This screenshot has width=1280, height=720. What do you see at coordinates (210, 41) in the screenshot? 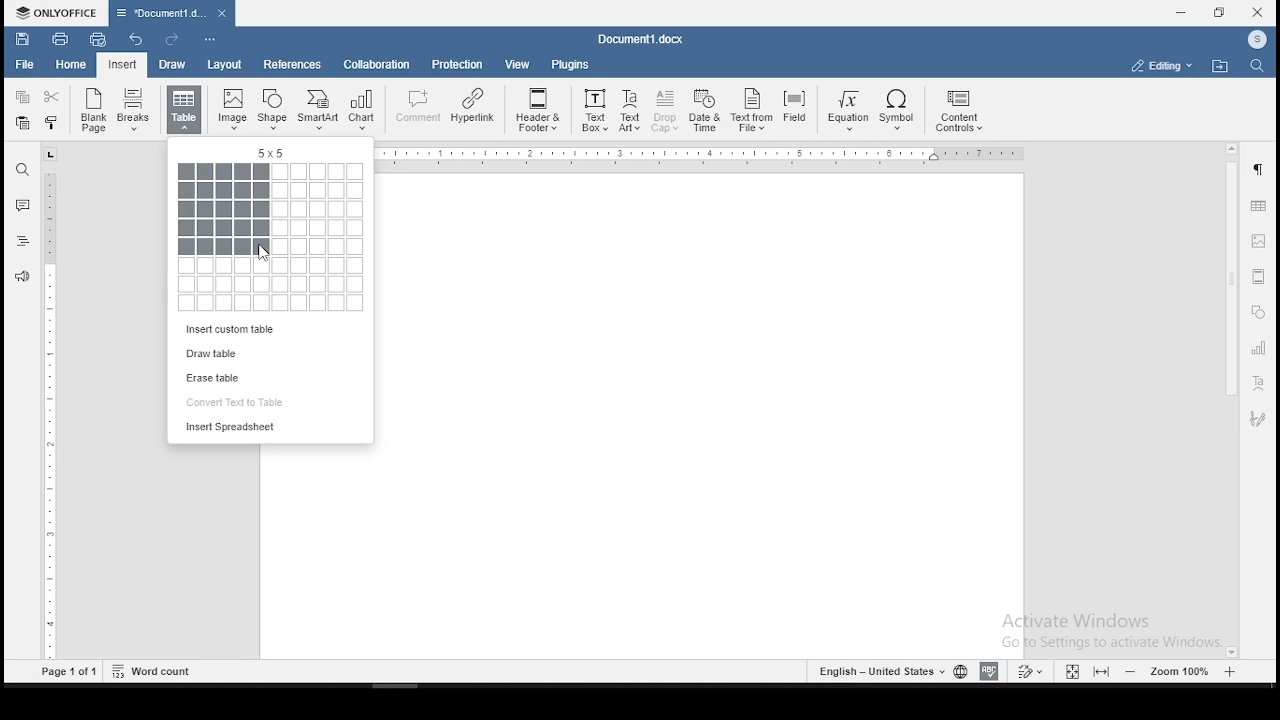
I see `customize quick toolbars` at bounding box center [210, 41].